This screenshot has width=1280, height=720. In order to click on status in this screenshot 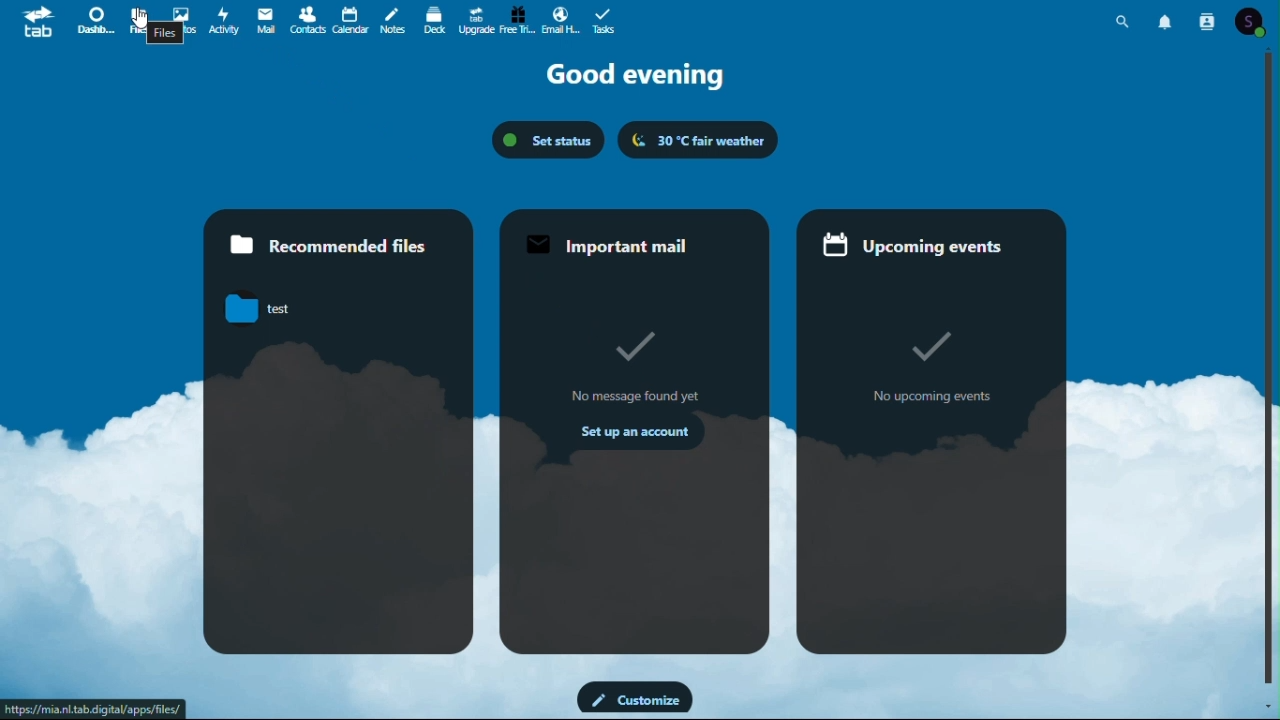, I will do `click(544, 139)`.